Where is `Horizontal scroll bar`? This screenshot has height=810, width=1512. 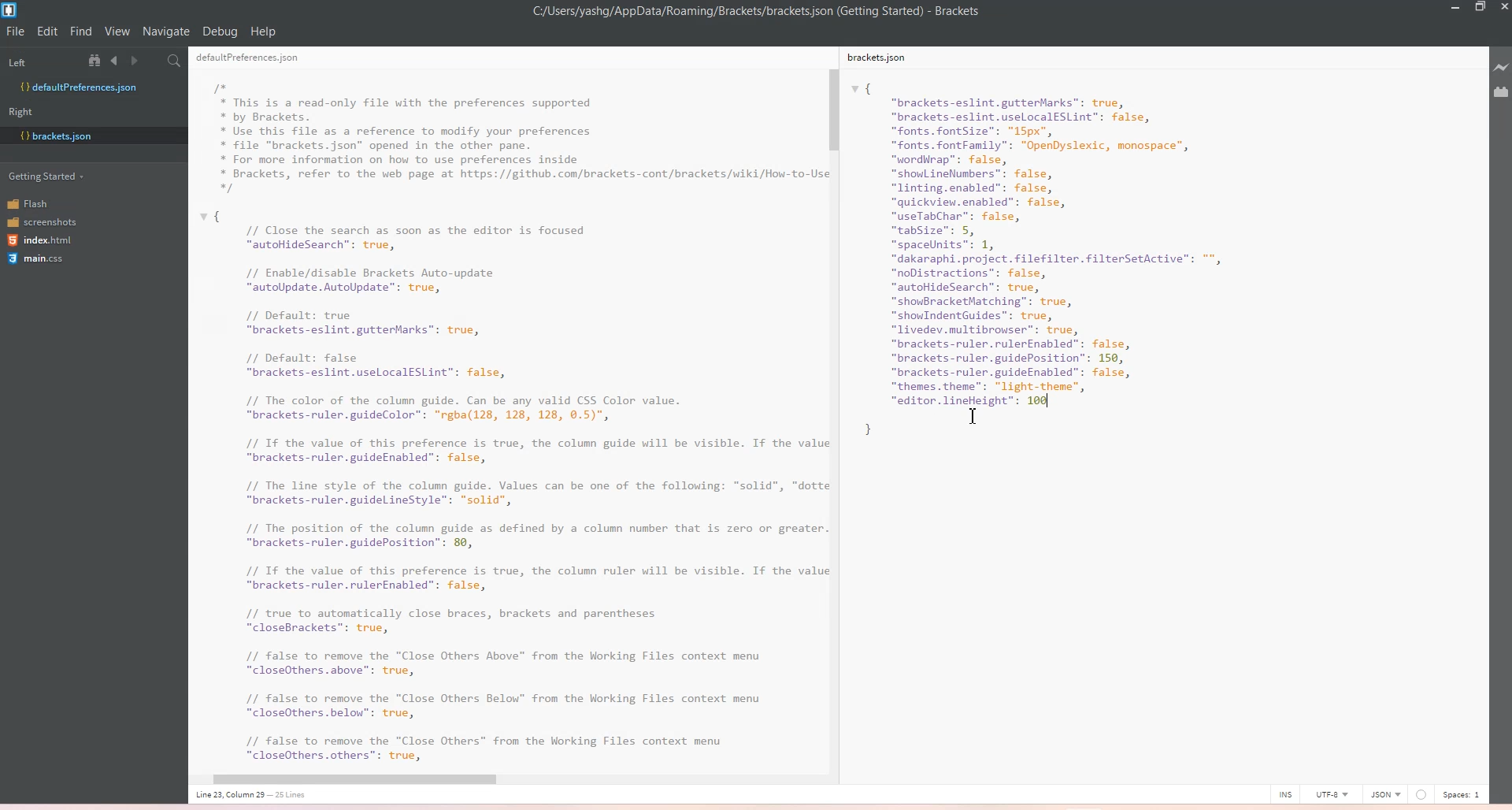
Horizontal scroll bar is located at coordinates (499, 780).